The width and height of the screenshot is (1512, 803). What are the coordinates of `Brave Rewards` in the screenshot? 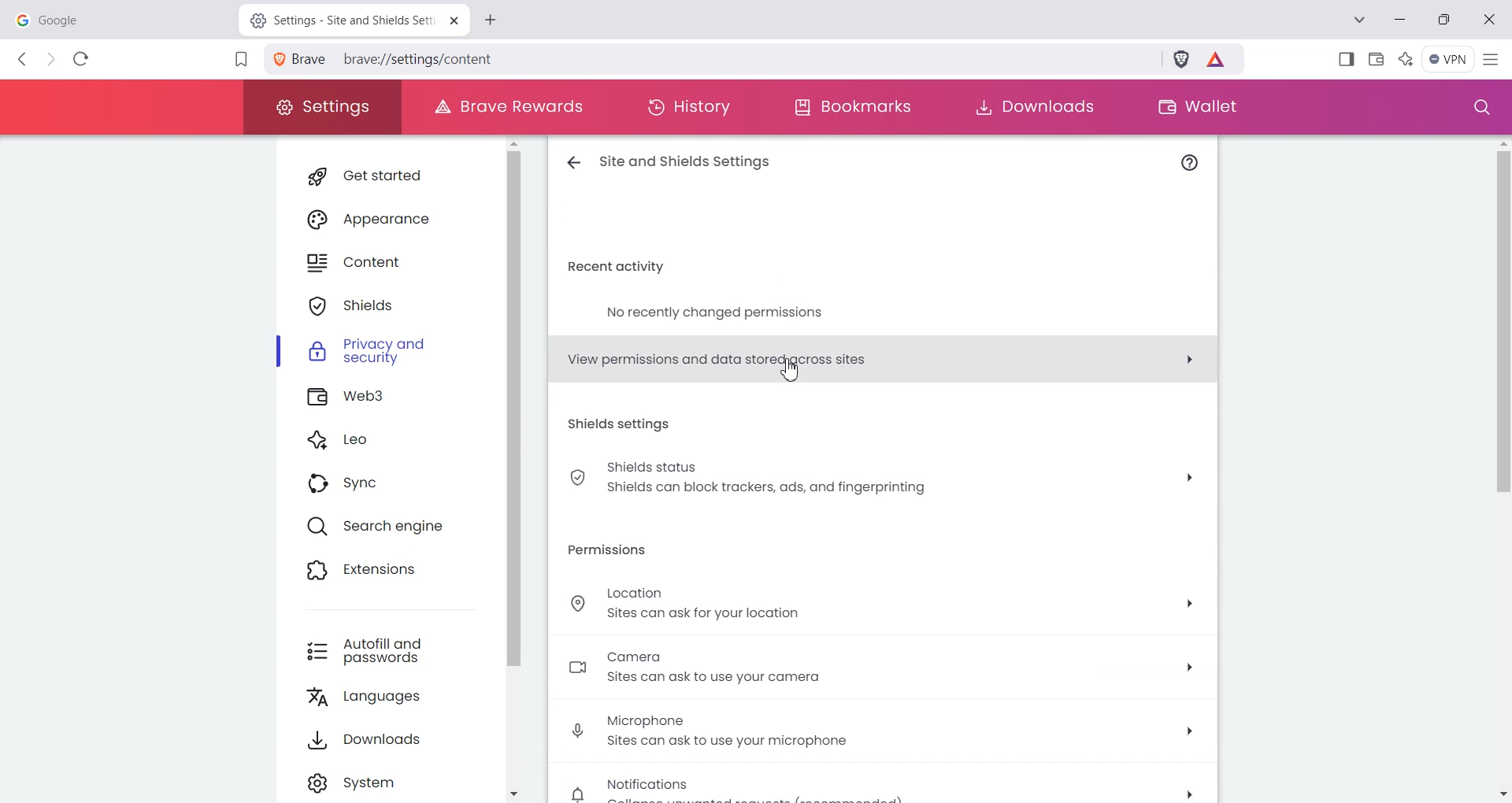 It's located at (504, 107).